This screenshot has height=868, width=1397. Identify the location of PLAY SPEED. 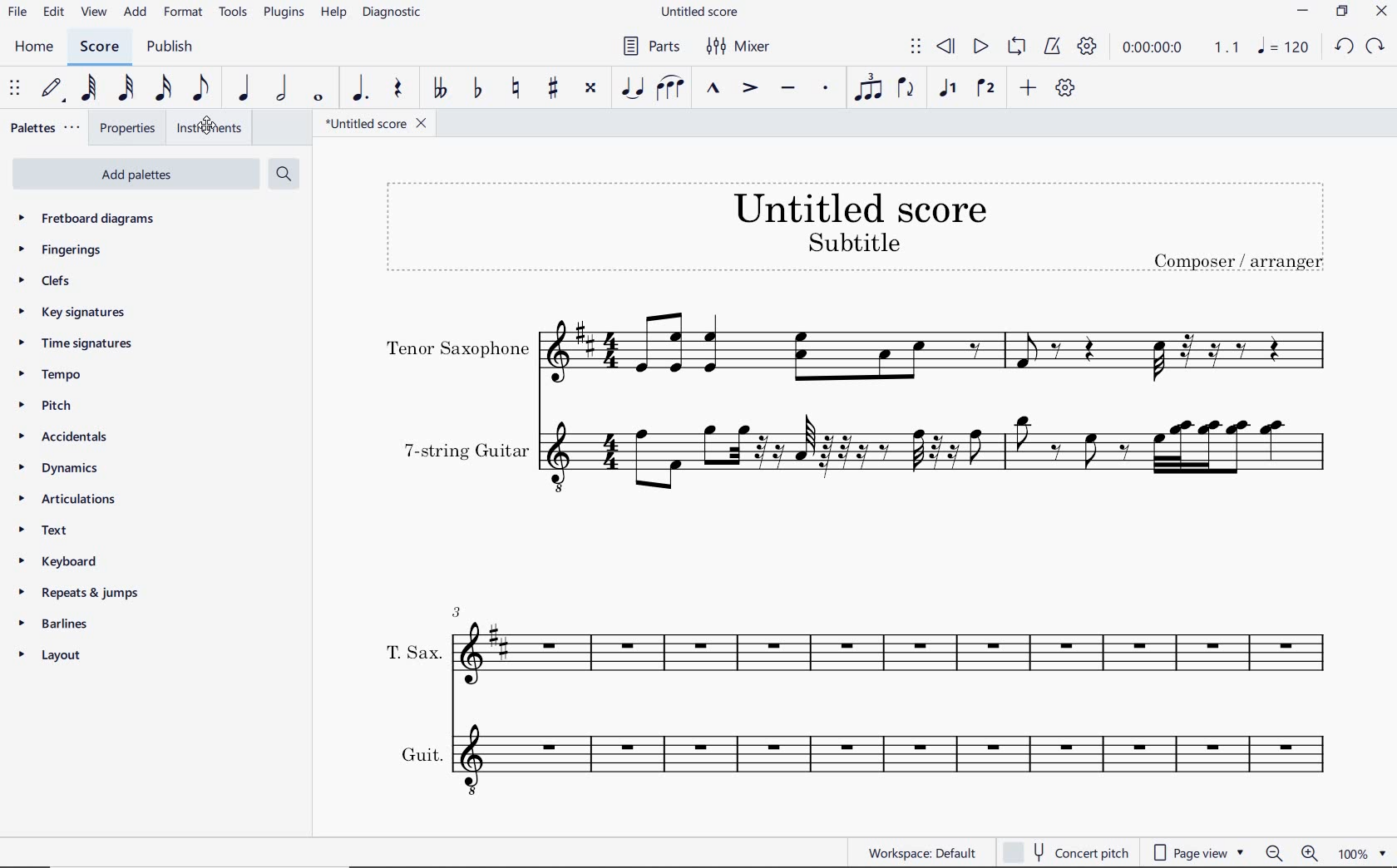
(1177, 50).